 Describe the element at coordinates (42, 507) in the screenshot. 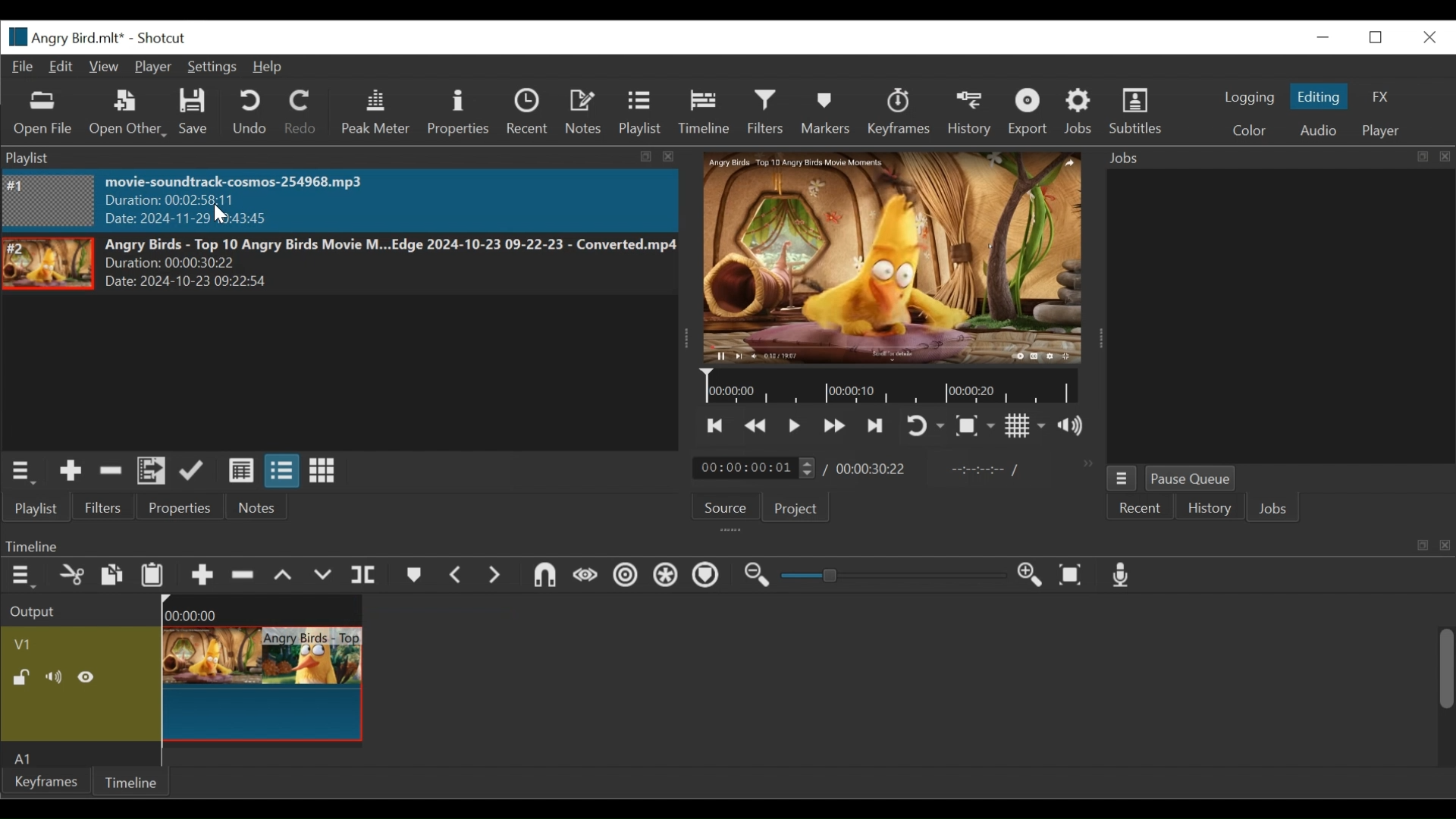

I see `Playlist` at that location.